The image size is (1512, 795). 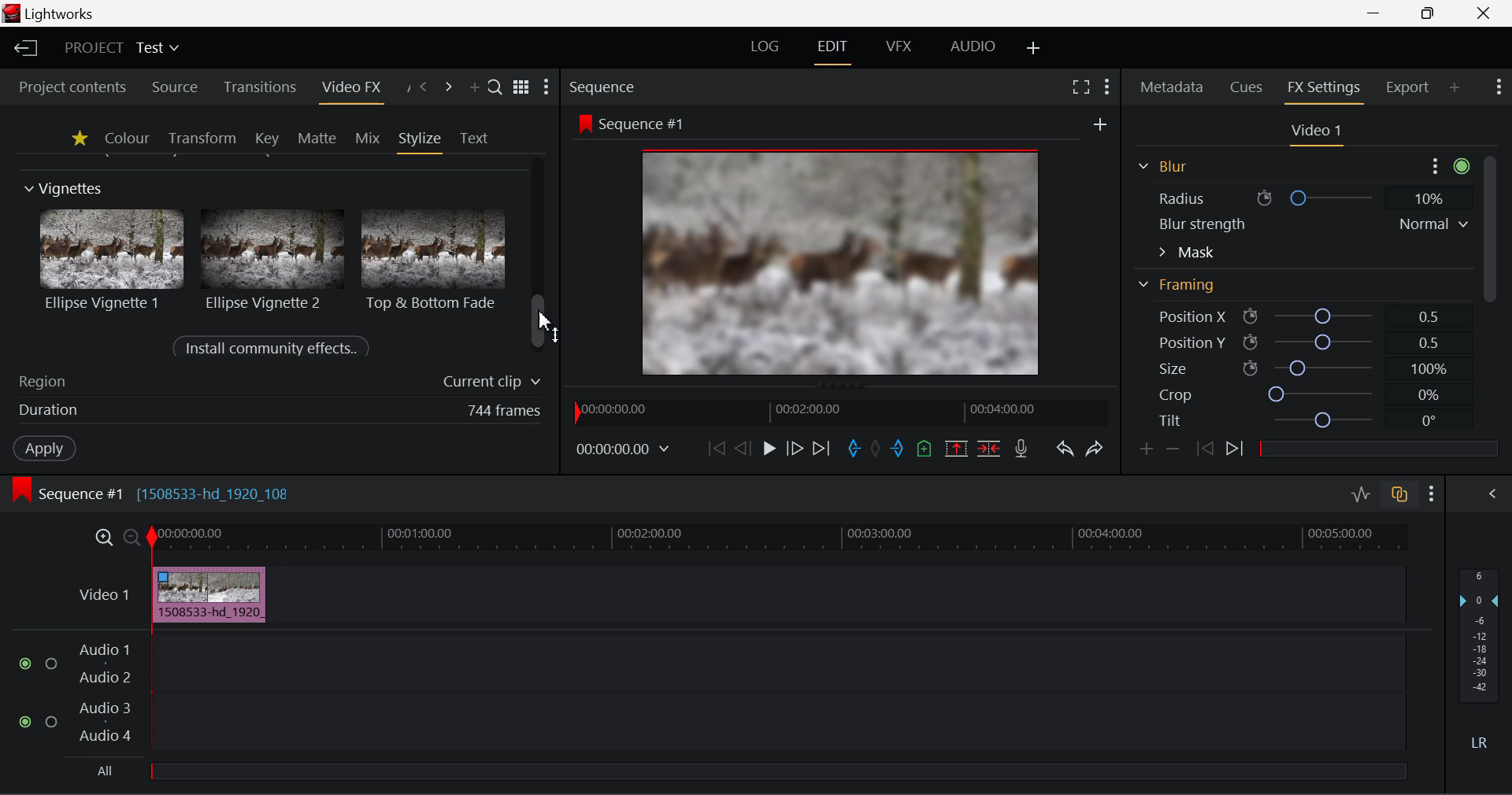 I want to click on Export, so click(x=1407, y=84).